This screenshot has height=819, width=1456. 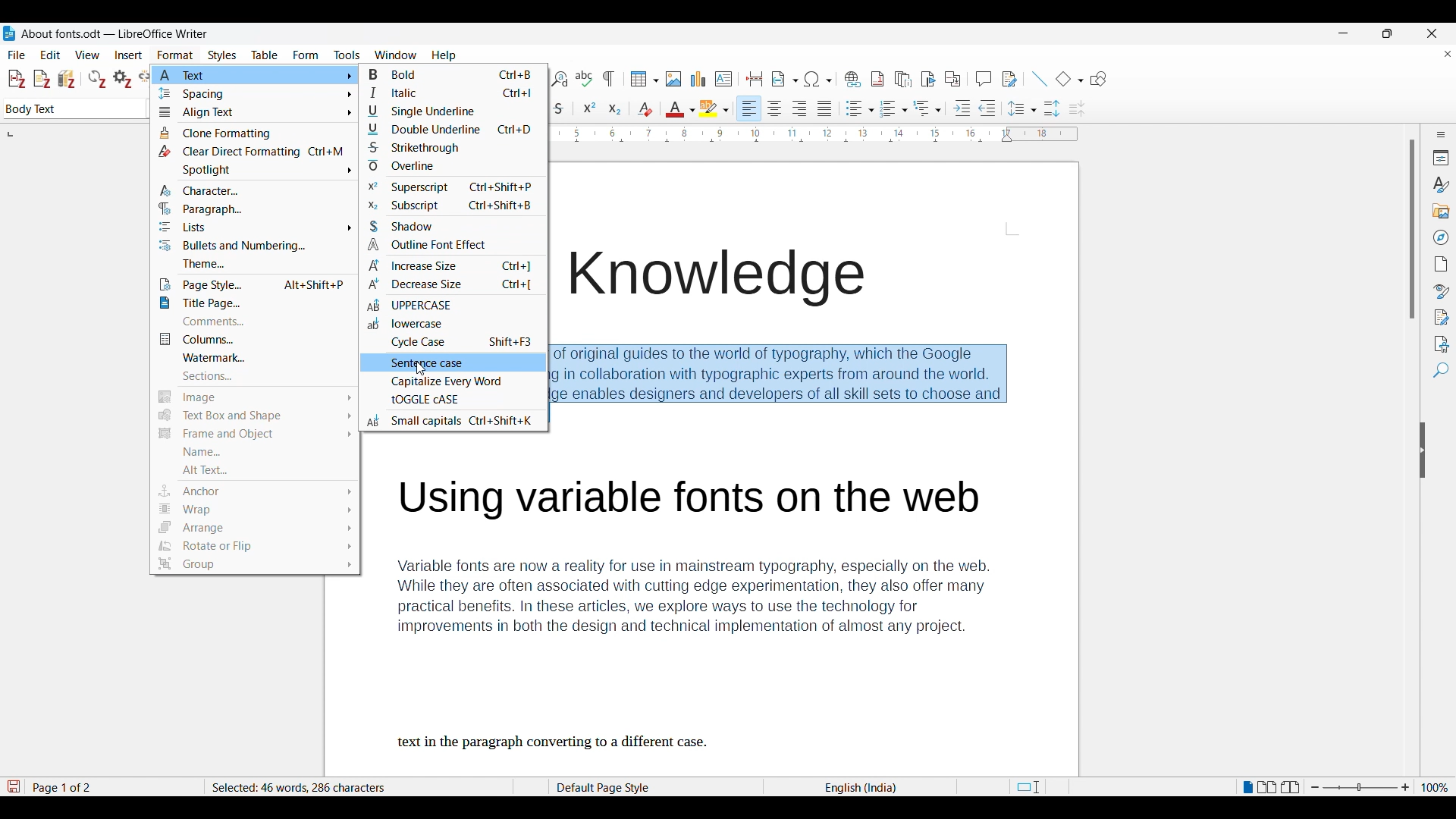 I want to click on Clear Direct Formatting, so click(x=248, y=152).